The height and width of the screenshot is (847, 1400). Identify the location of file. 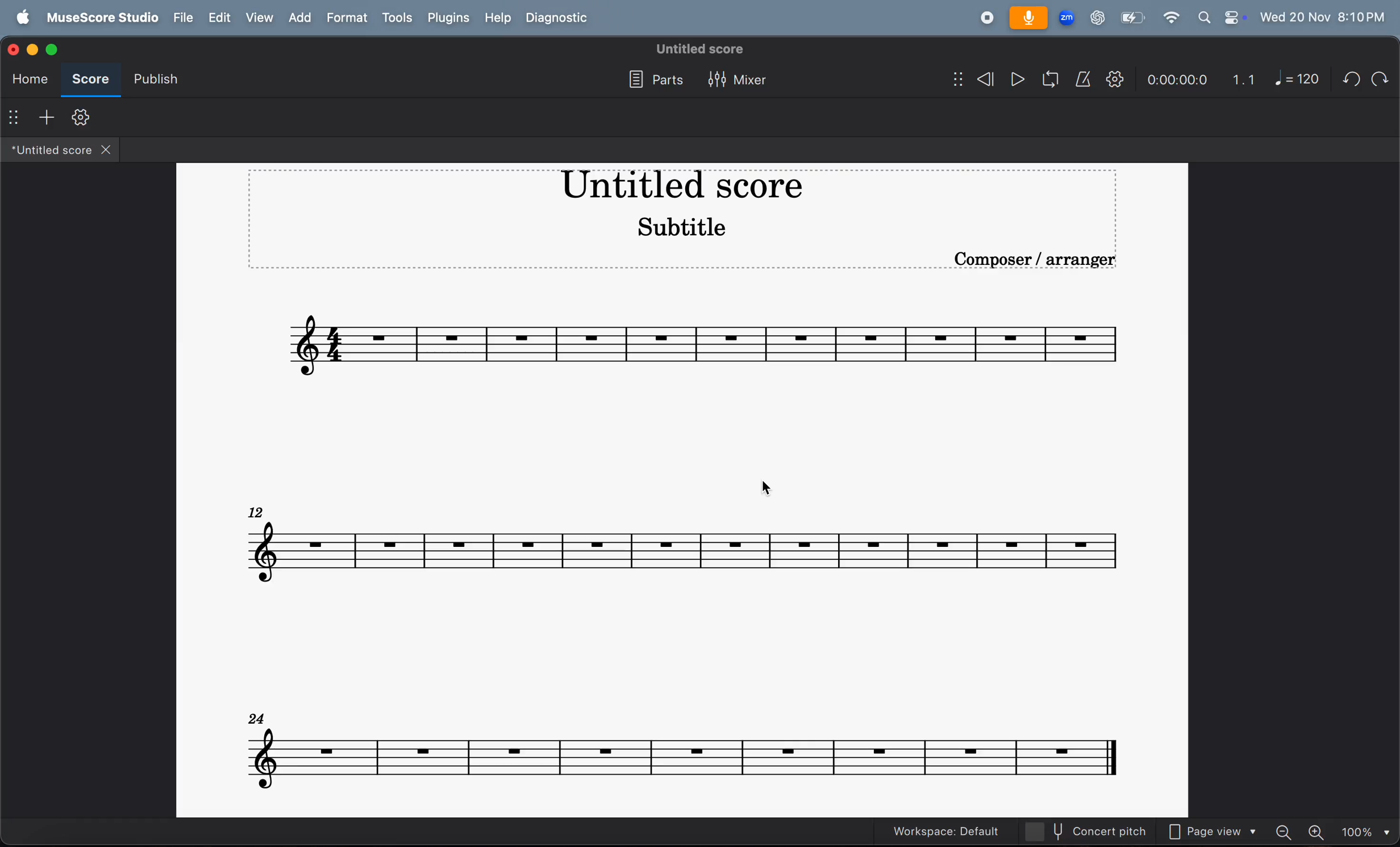
(182, 18).